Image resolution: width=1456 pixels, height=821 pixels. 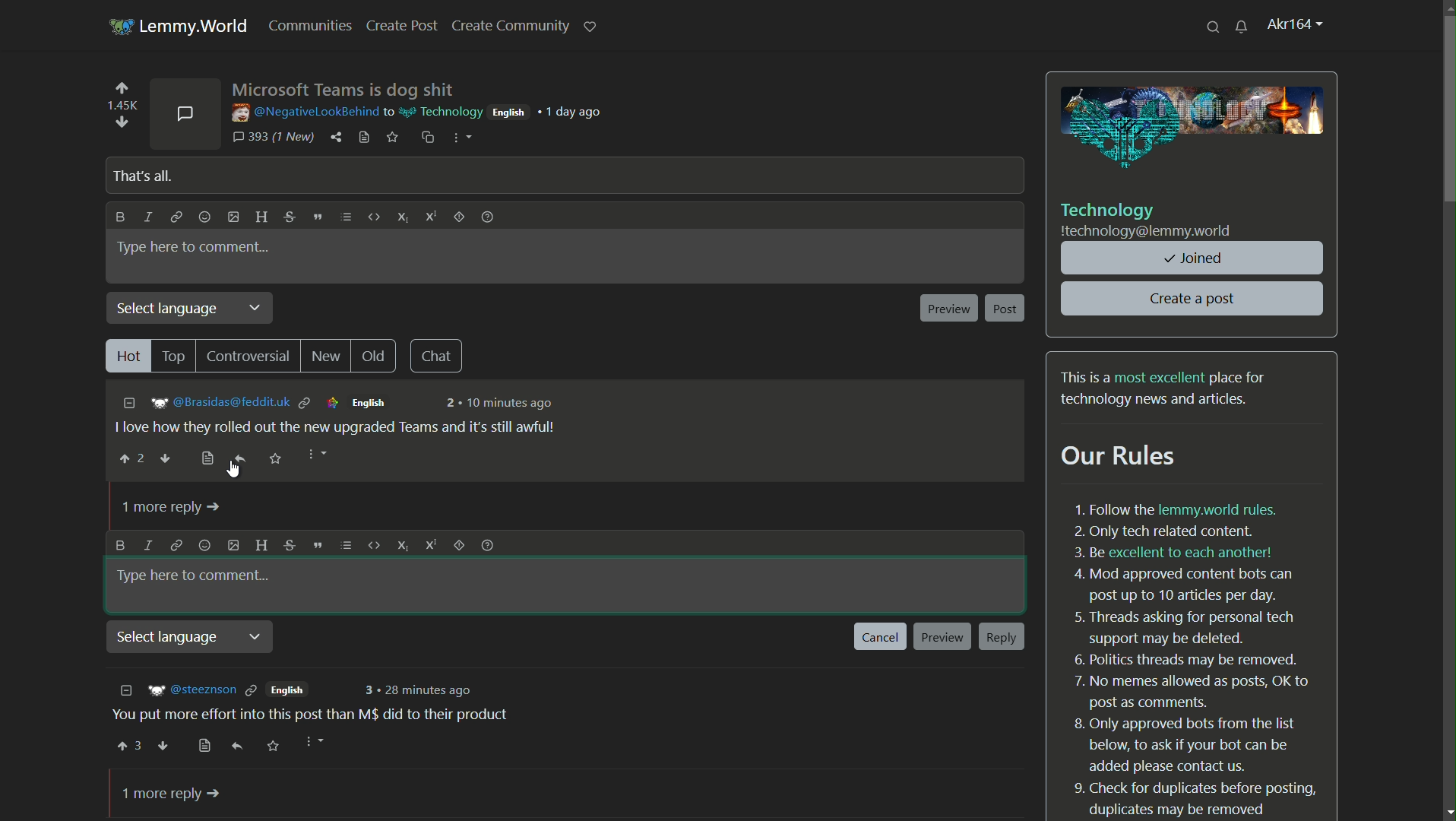 I want to click on subscript, so click(x=400, y=546).